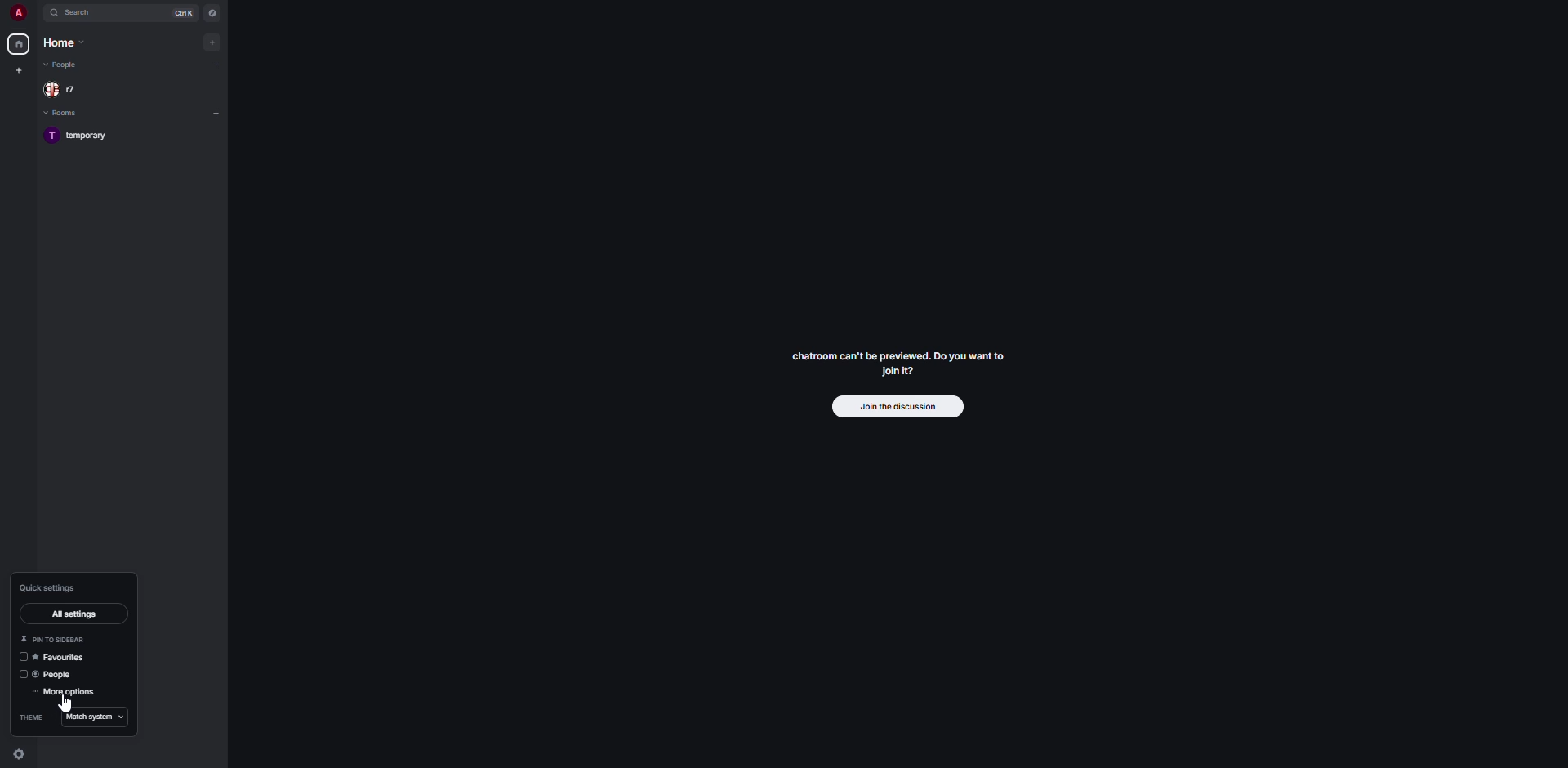 The height and width of the screenshot is (768, 1568). I want to click on more options, so click(61, 692).